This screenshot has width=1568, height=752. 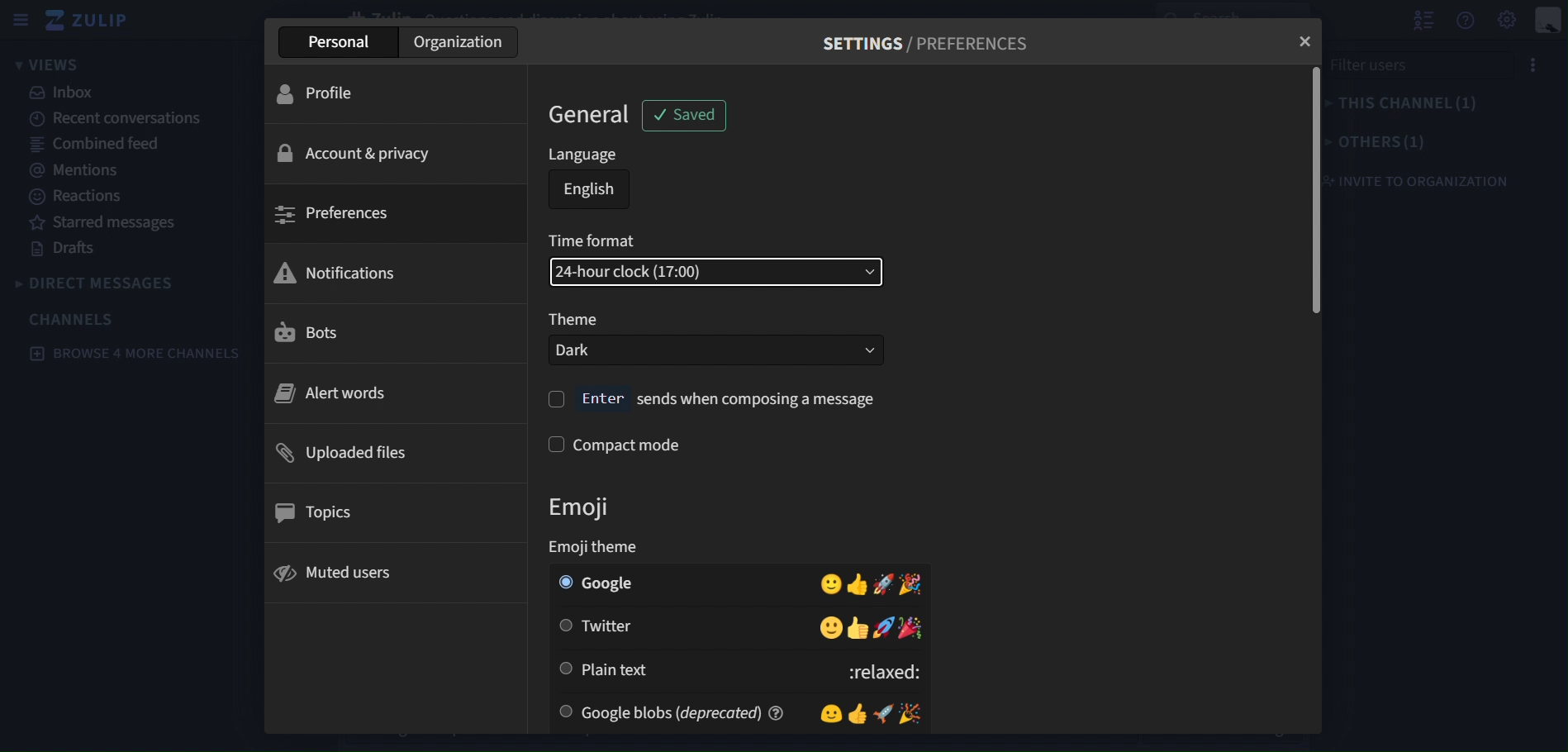 I want to click on Emojis, so click(x=839, y=627).